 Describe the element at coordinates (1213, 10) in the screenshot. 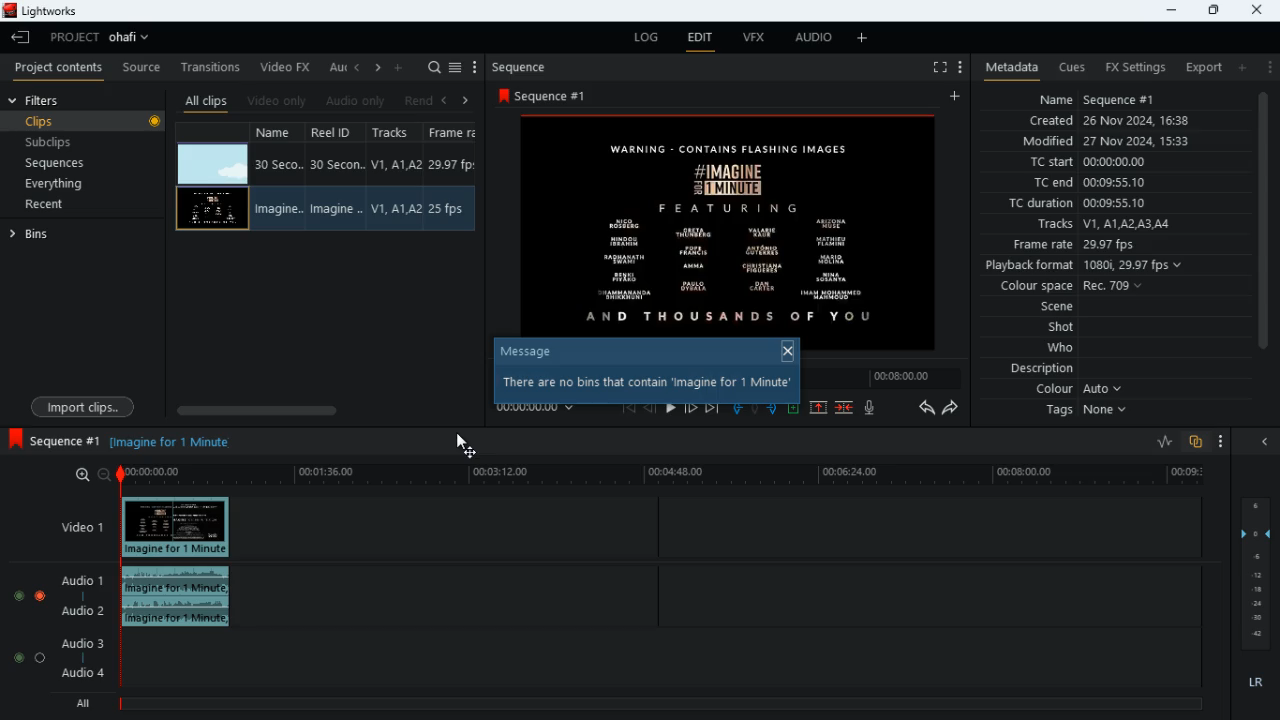

I see `maximize` at that location.